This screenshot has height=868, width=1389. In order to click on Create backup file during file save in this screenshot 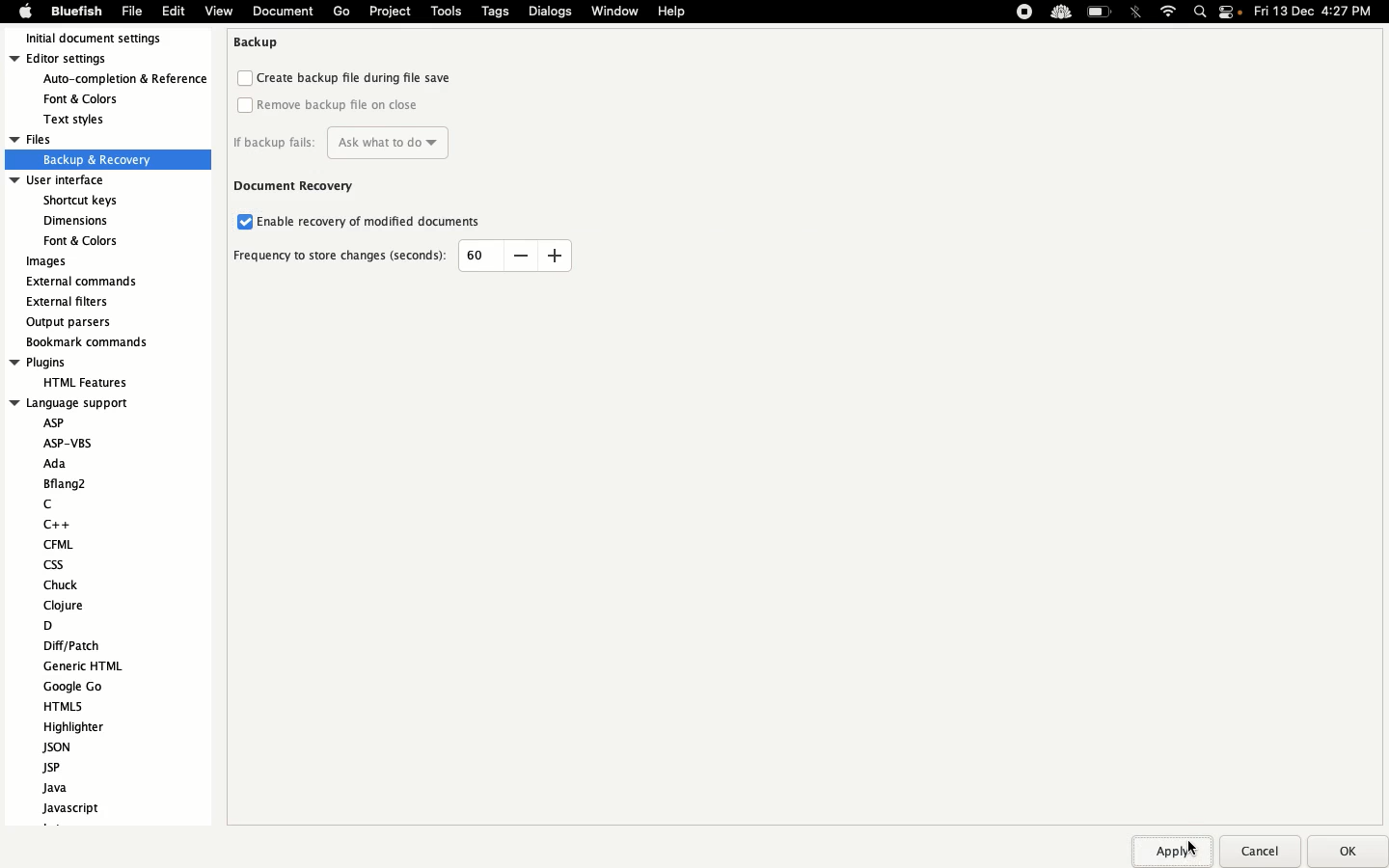, I will do `click(348, 78)`.